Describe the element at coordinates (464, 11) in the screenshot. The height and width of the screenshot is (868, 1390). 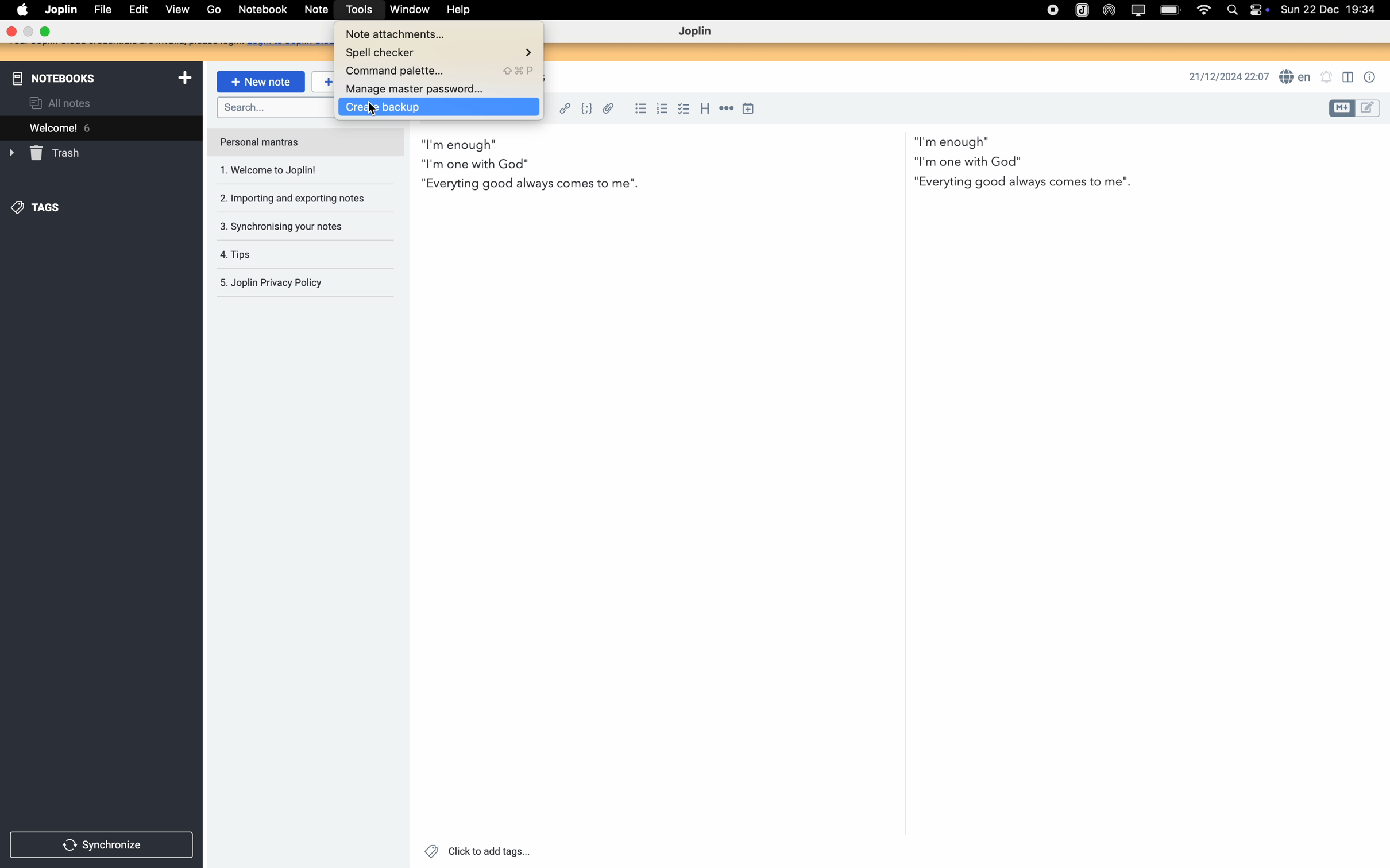
I see `help` at that location.